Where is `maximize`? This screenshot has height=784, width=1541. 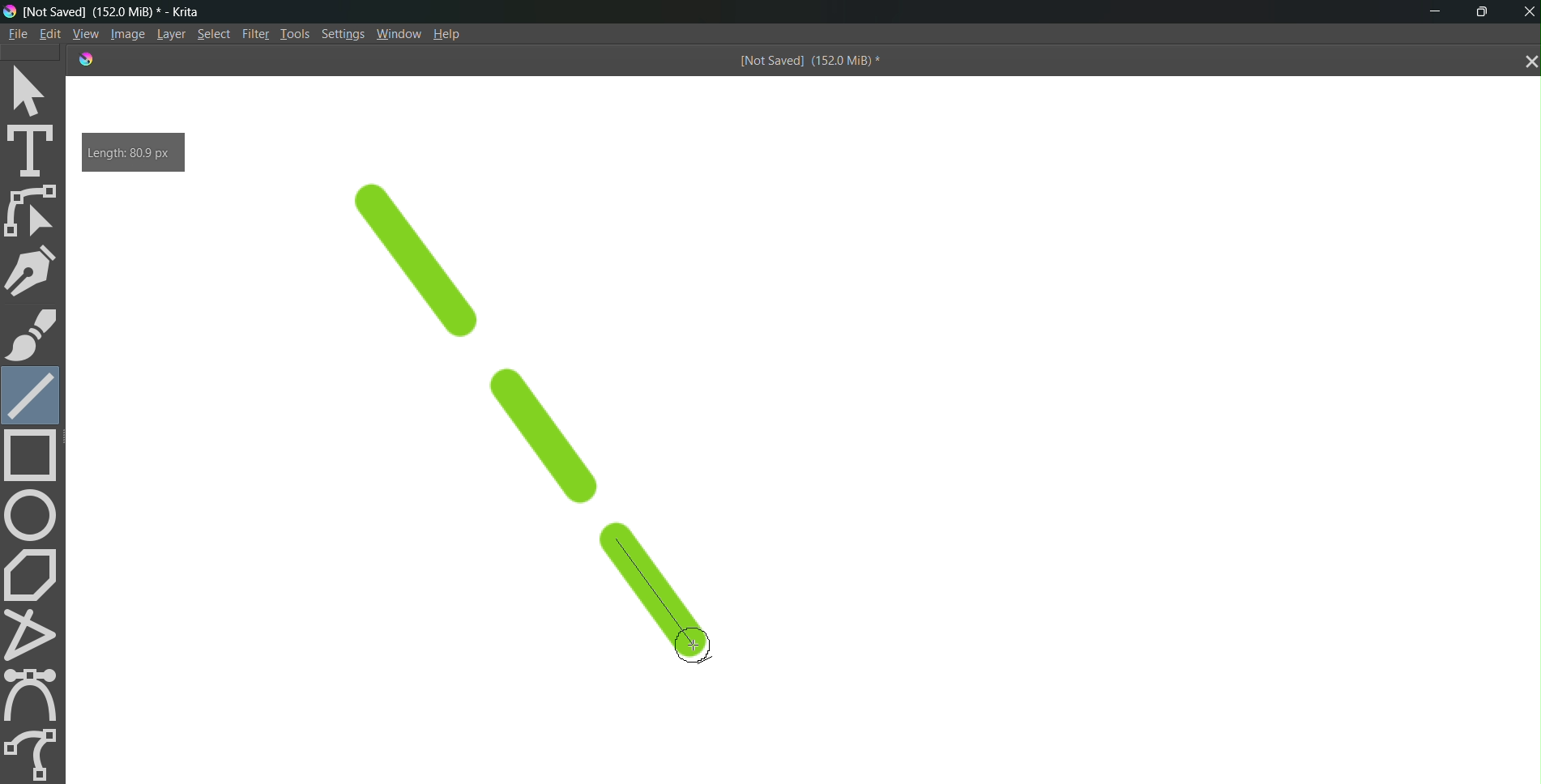
maximize is located at coordinates (1487, 10).